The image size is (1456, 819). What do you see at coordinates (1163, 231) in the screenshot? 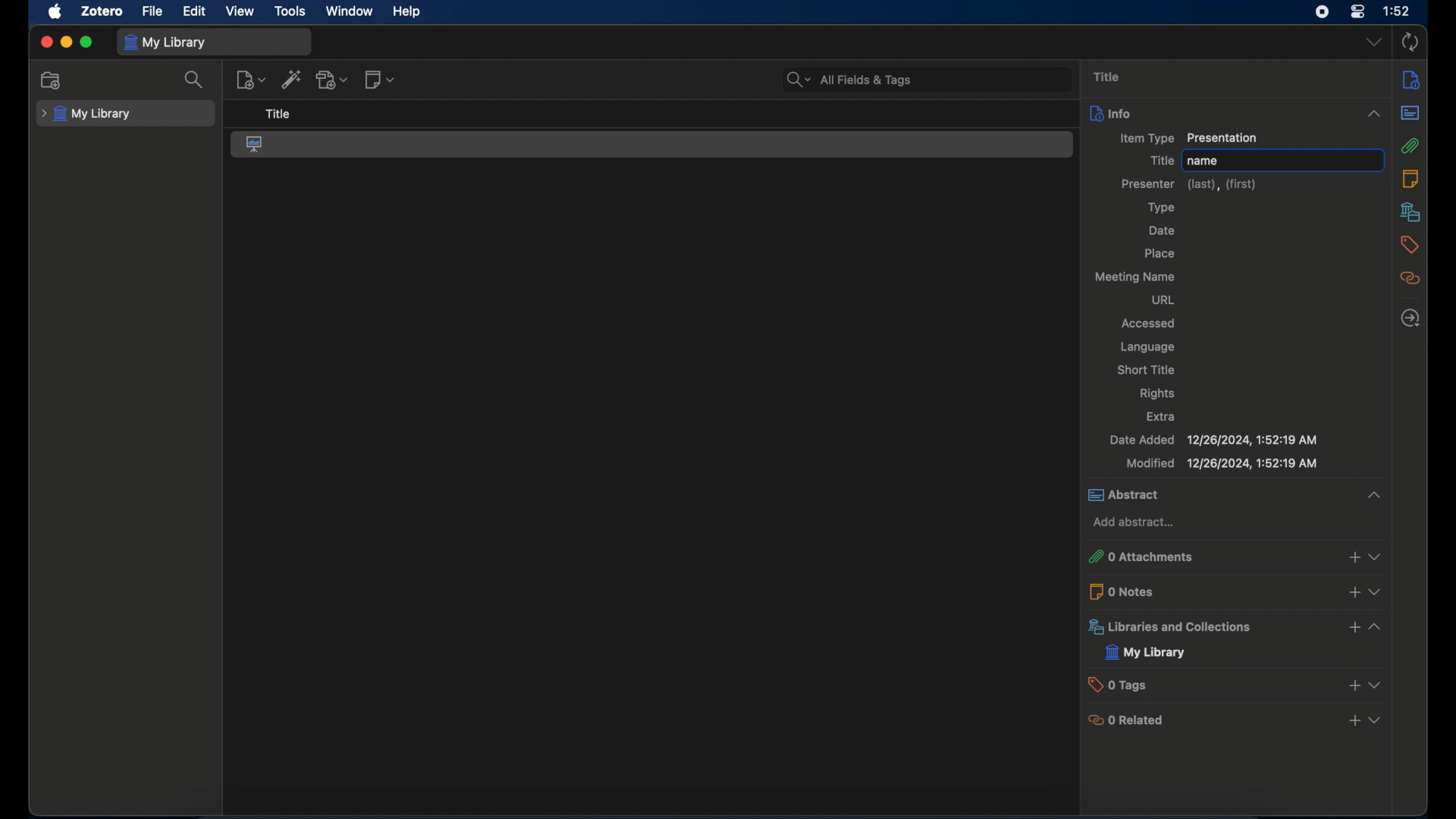
I see `date` at bounding box center [1163, 231].